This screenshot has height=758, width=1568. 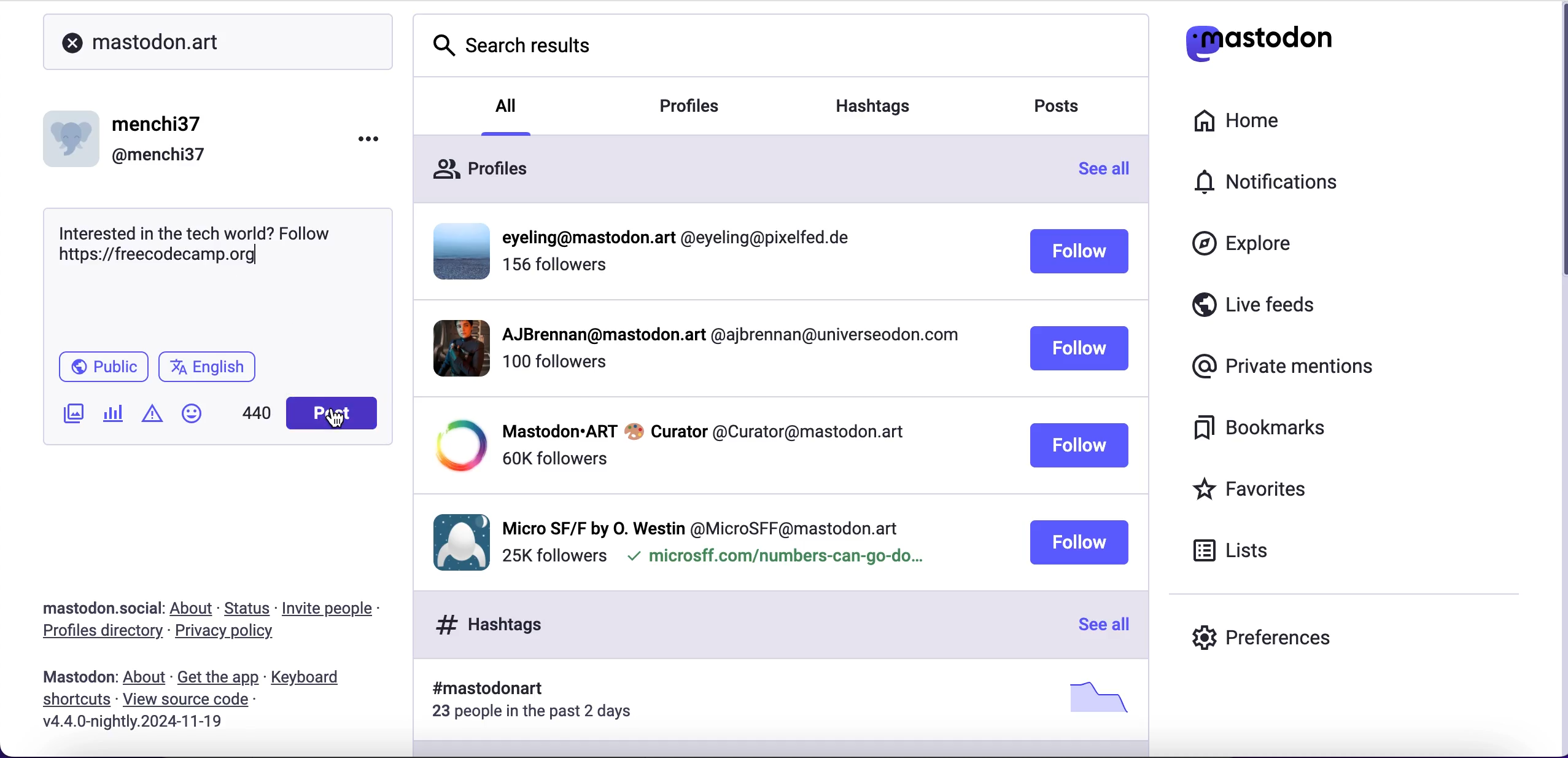 I want to click on live feeds, so click(x=1254, y=310).